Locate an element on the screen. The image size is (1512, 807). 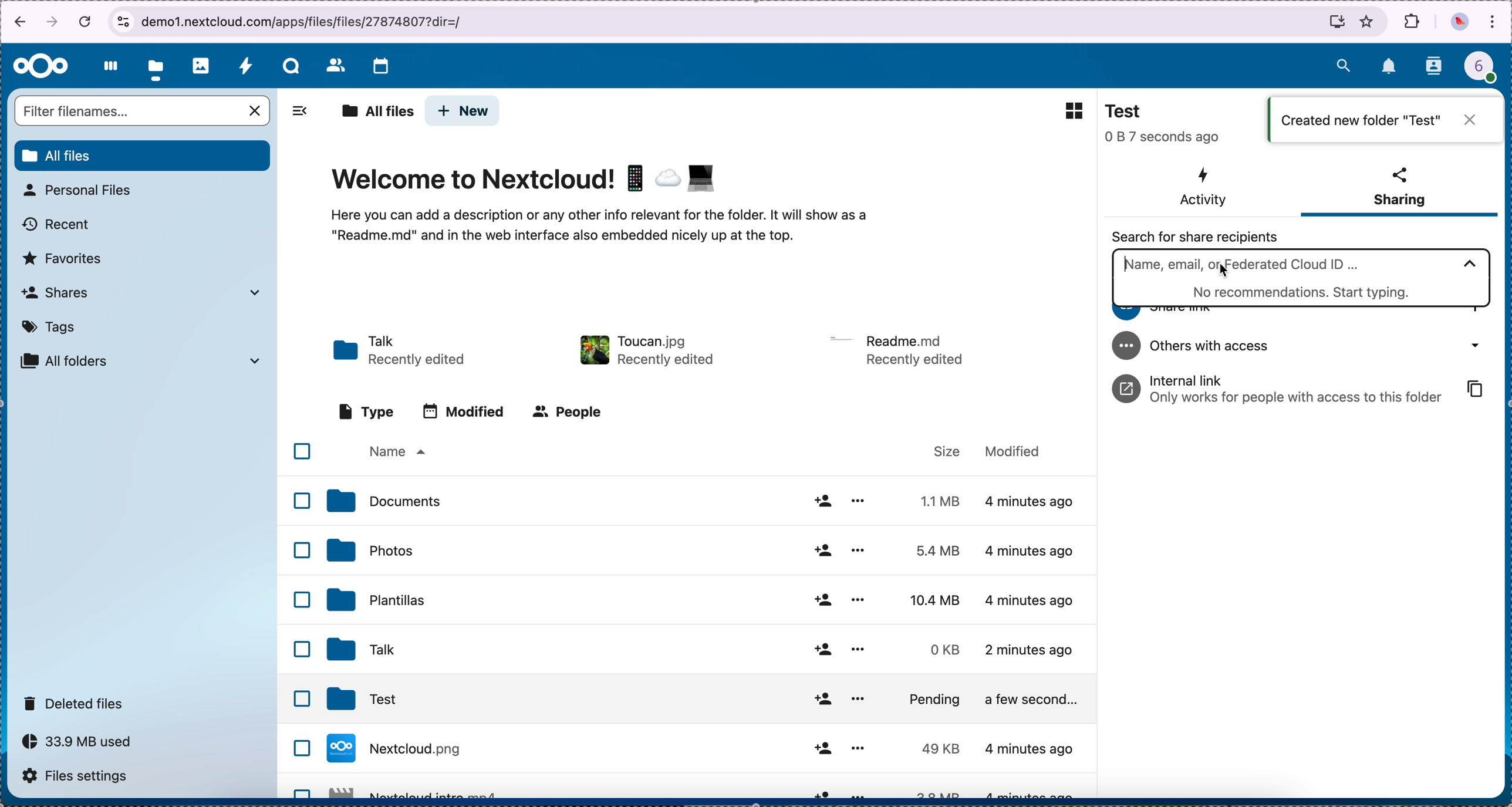
templates is located at coordinates (703, 597).